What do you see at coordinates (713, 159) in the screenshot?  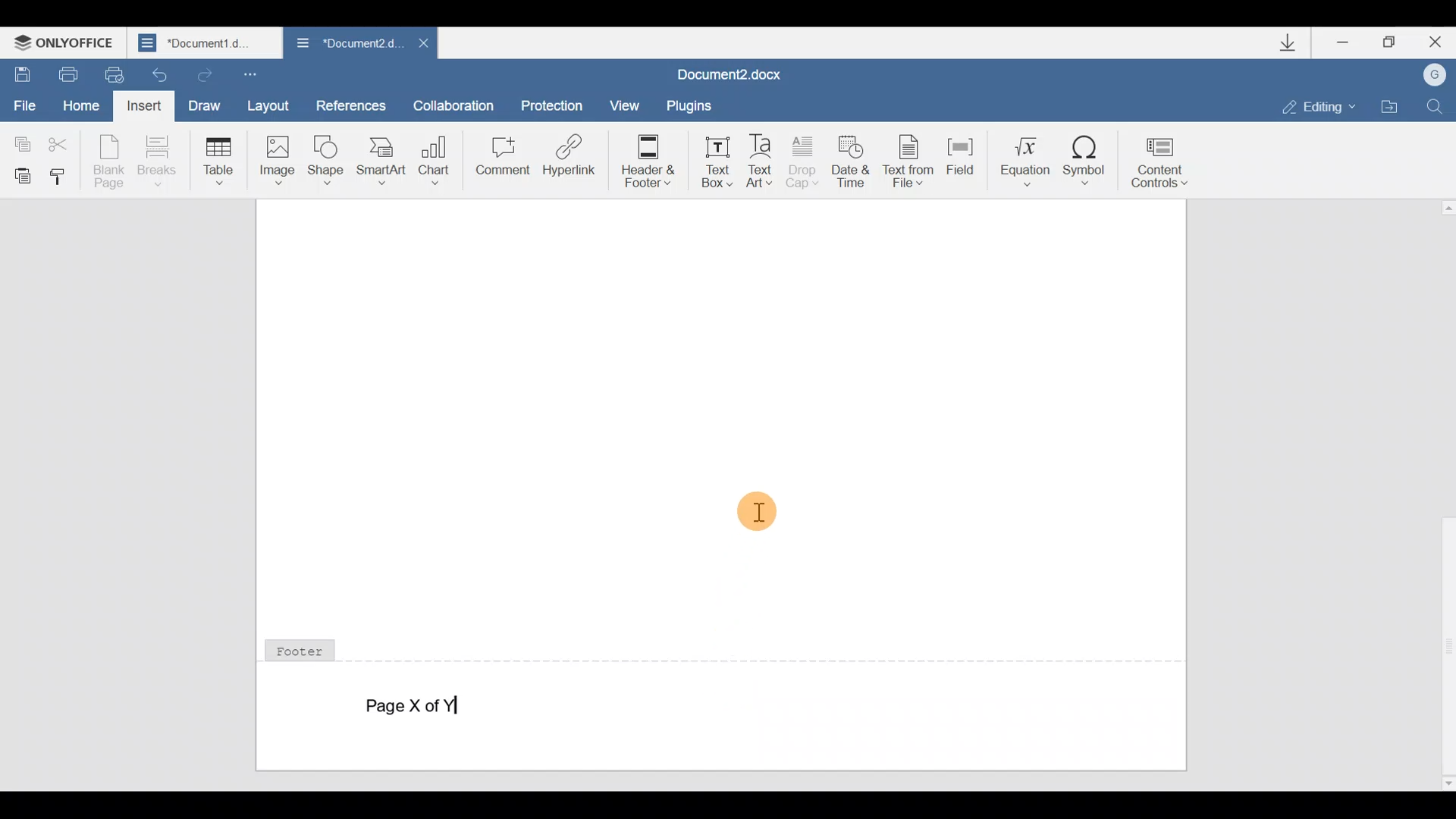 I see `Text box` at bounding box center [713, 159].